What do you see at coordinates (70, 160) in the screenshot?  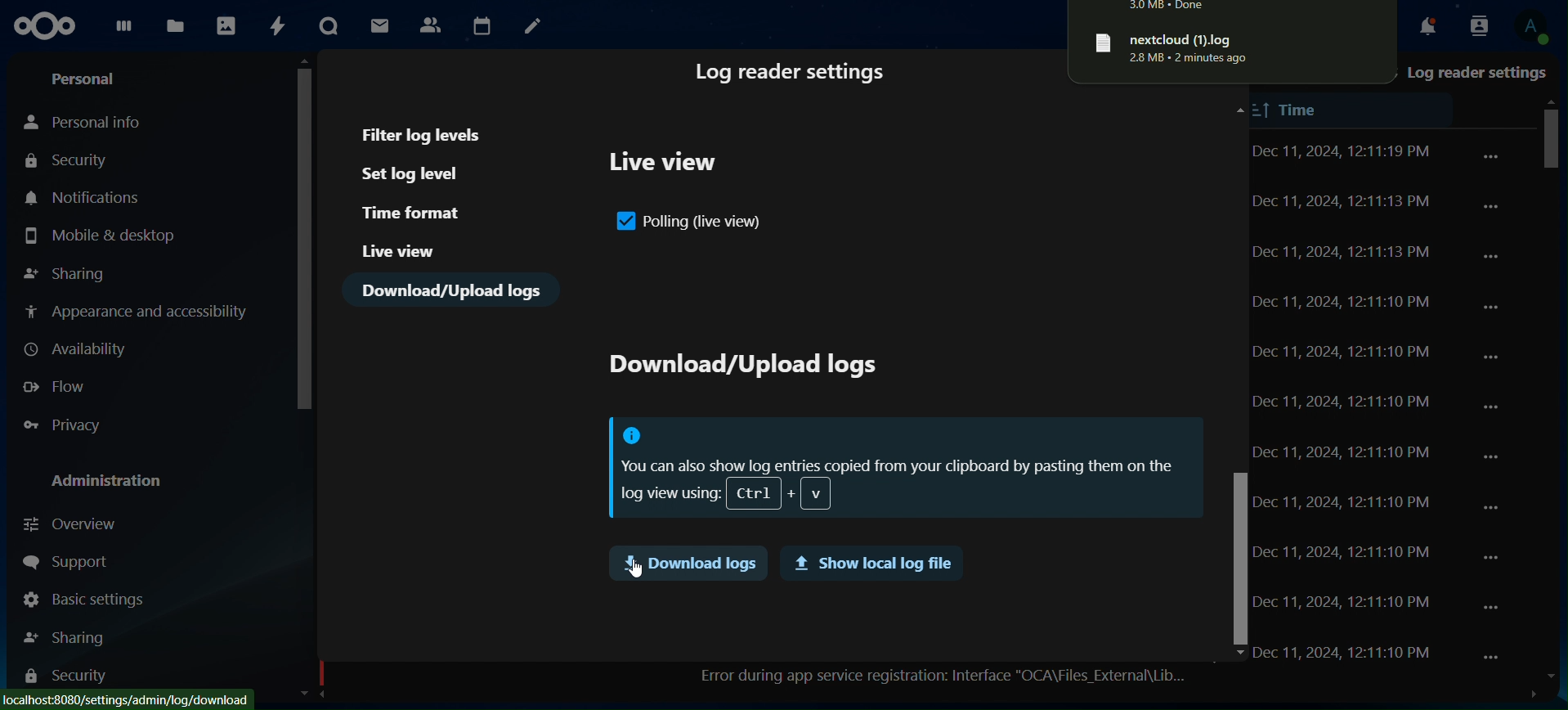 I see `security` at bounding box center [70, 160].